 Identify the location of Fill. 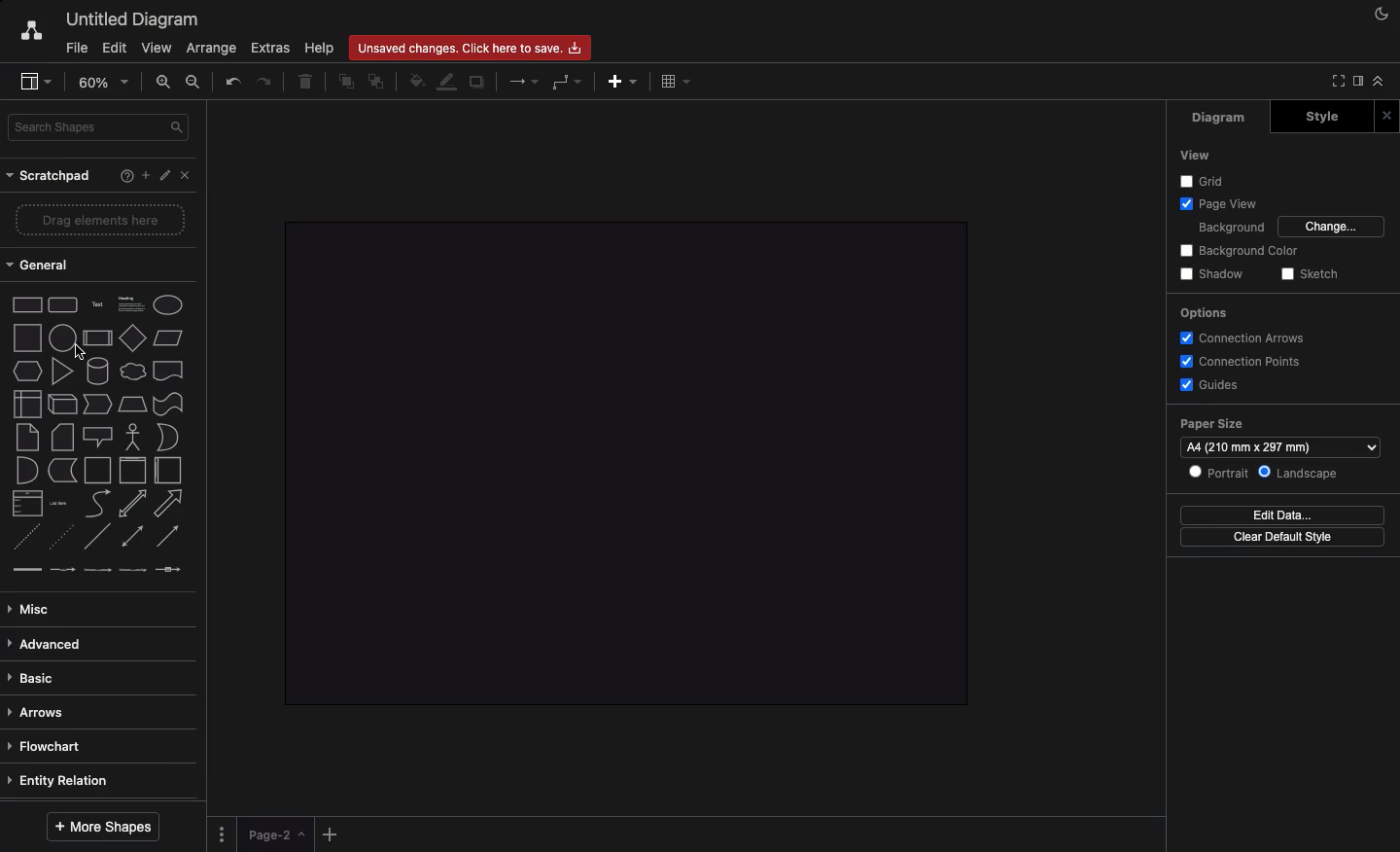
(419, 83).